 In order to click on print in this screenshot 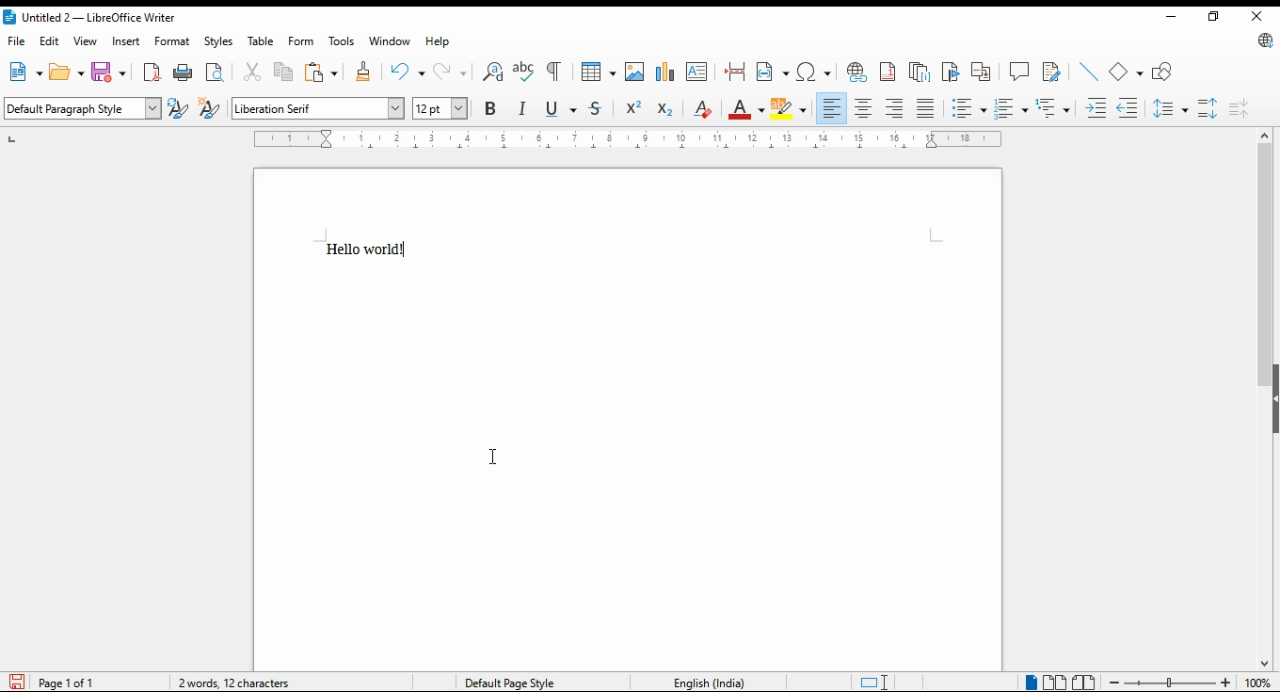, I will do `click(183, 70)`.